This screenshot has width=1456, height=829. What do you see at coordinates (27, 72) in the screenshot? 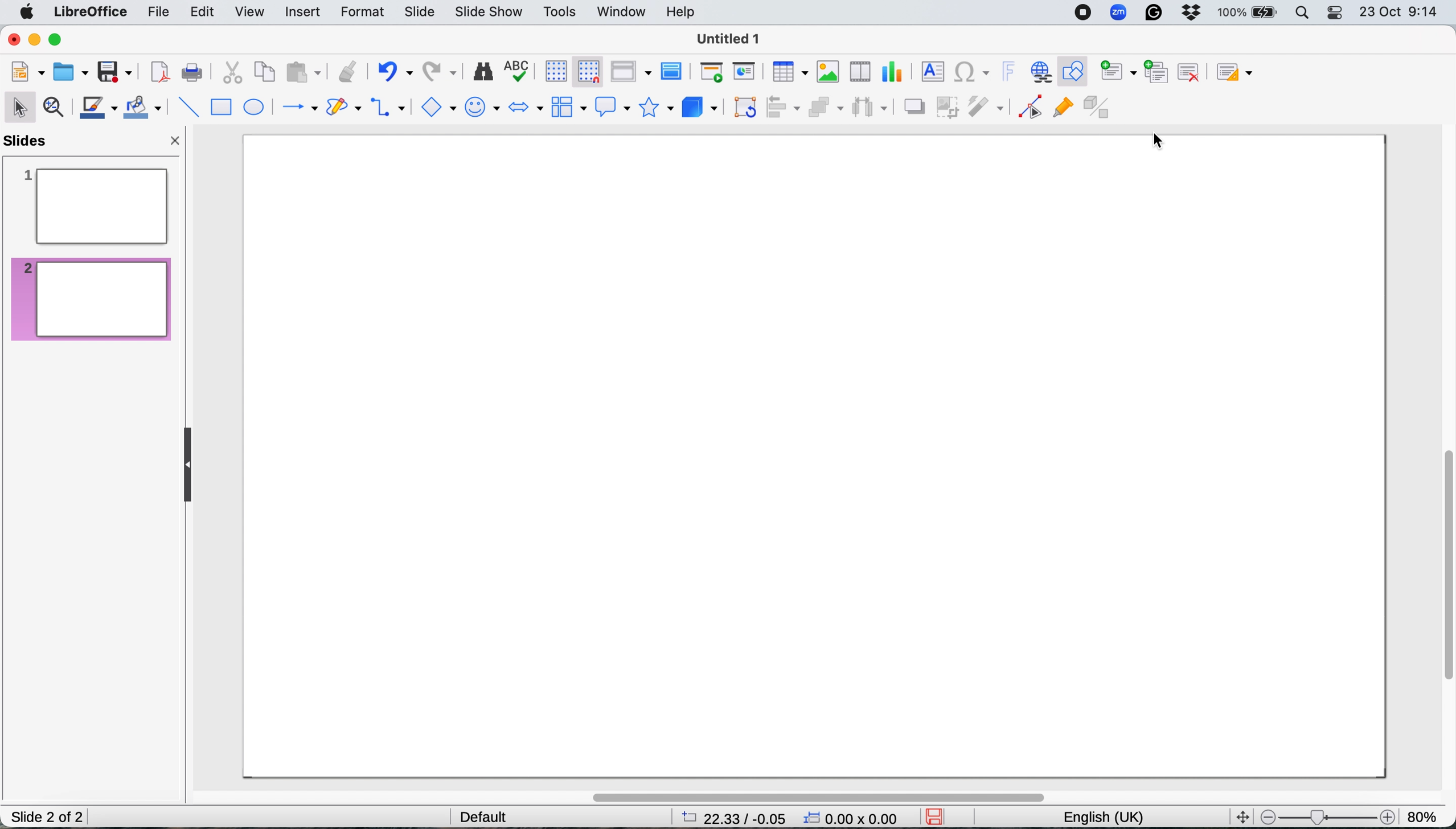
I see `new` at bounding box center [27, 72].